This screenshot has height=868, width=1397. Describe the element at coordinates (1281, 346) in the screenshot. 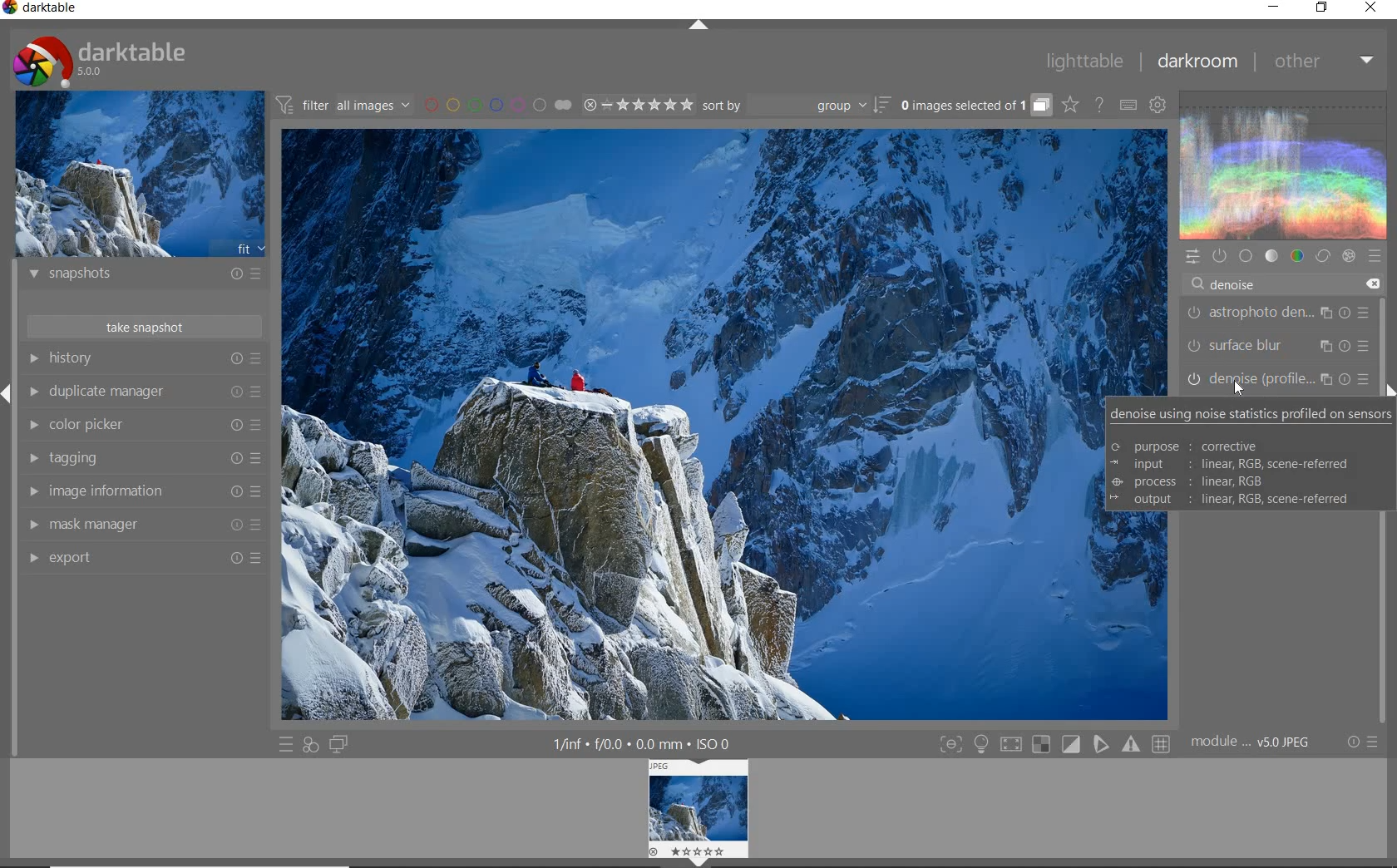

I see `surface blur` at that location.